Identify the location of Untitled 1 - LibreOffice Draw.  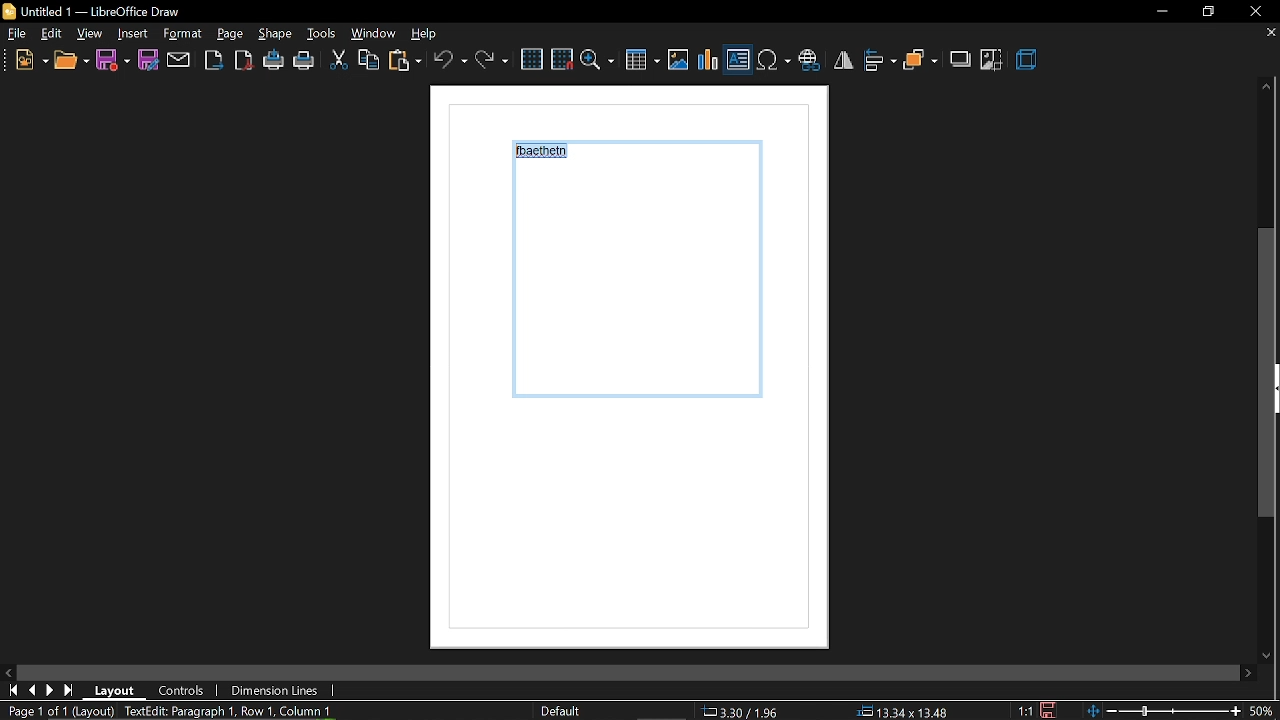
(92, 10).